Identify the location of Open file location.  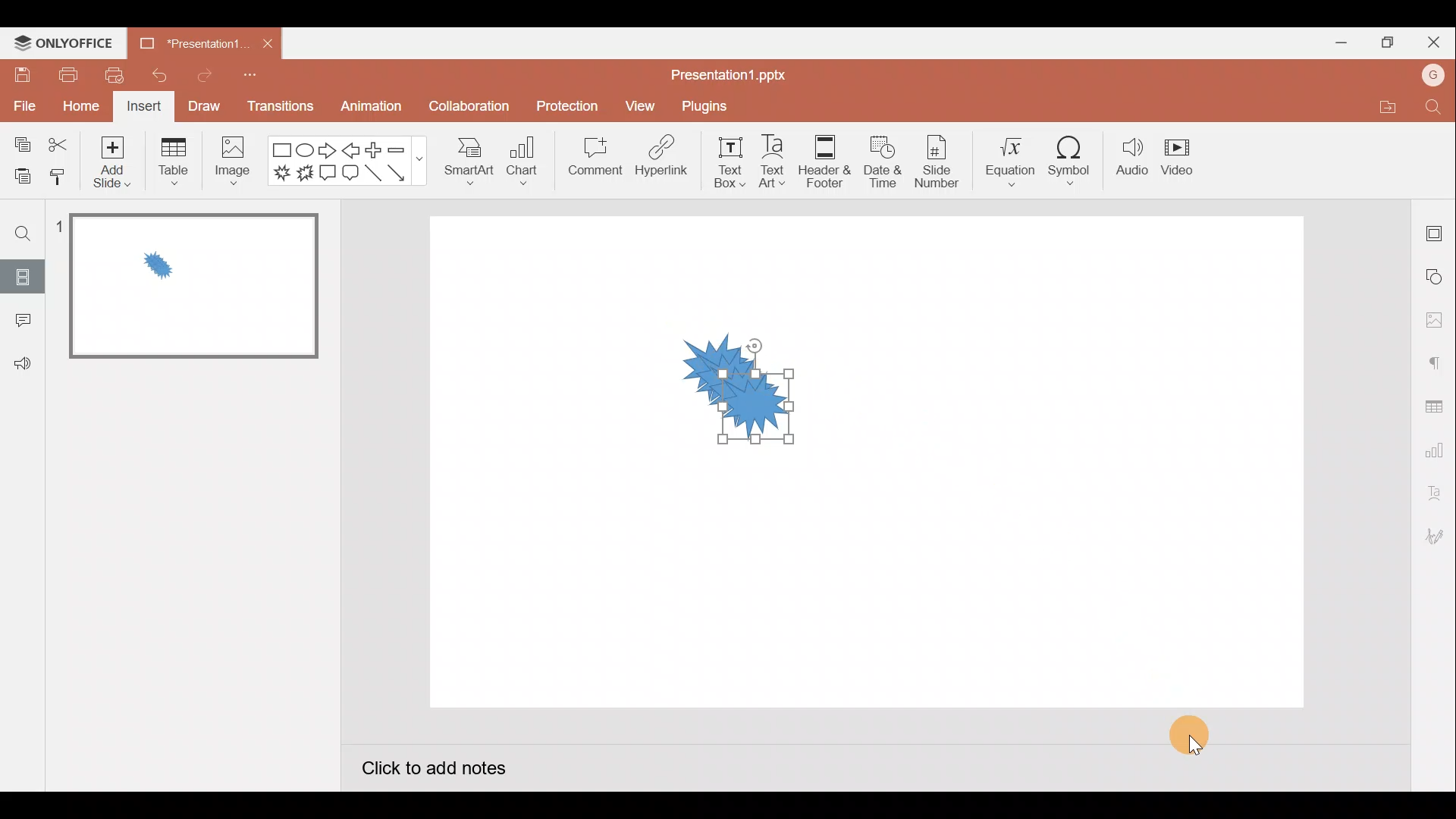
(1379, 107).